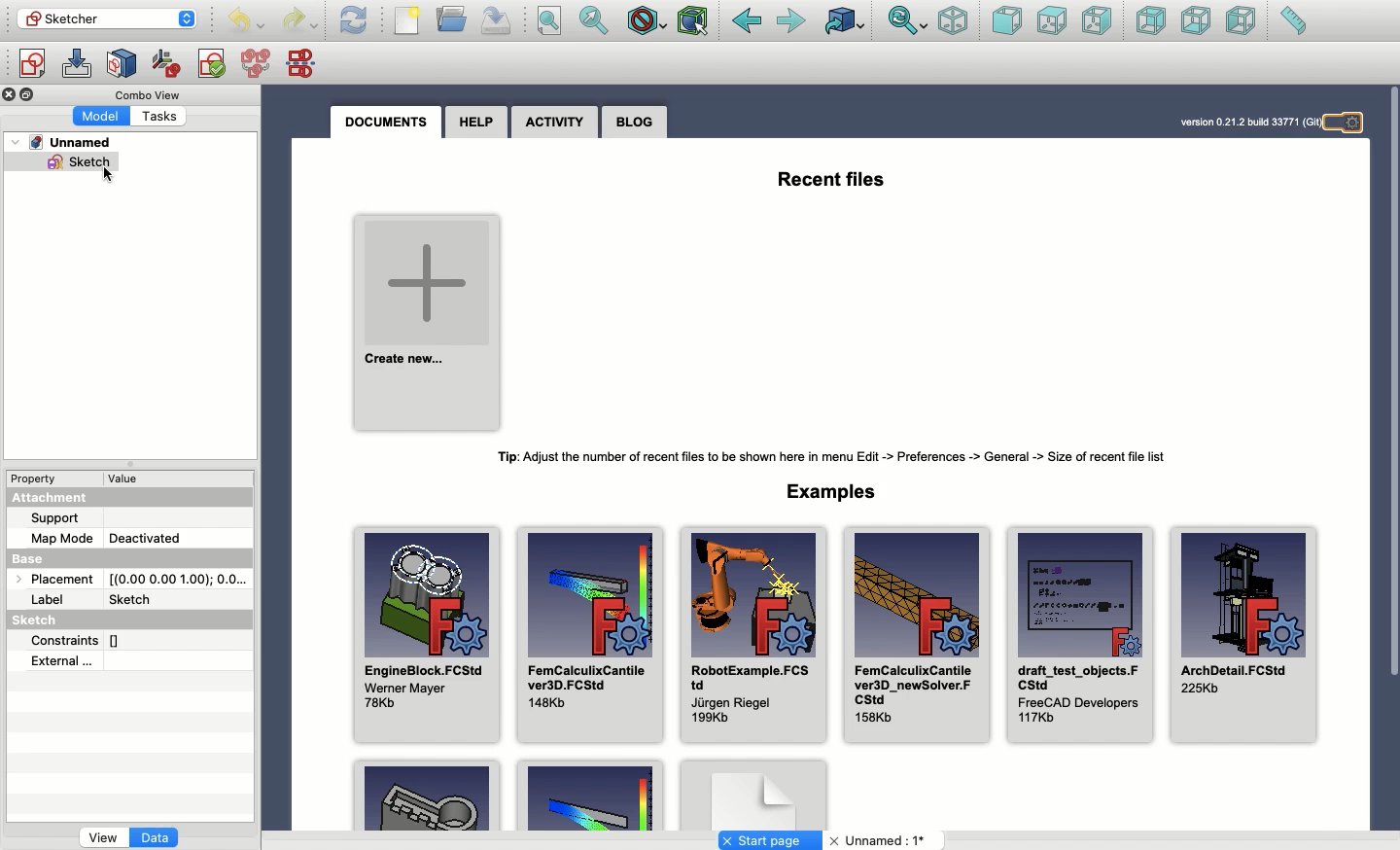 This screenshot has width=1400, height=850. I want to click on Settings, so click(1347, 122).